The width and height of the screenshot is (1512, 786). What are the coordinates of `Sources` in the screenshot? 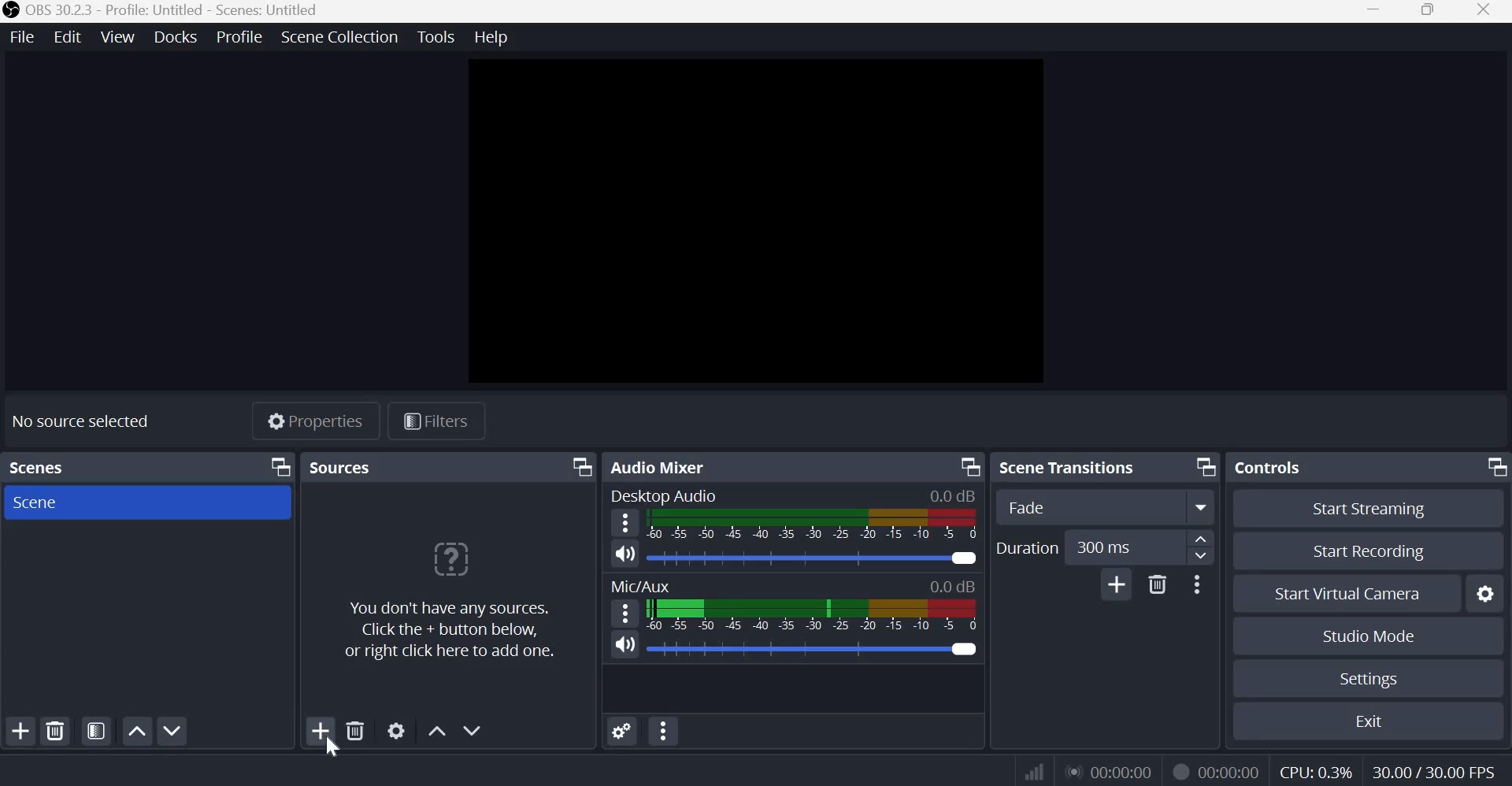 It's located at (343, 466).